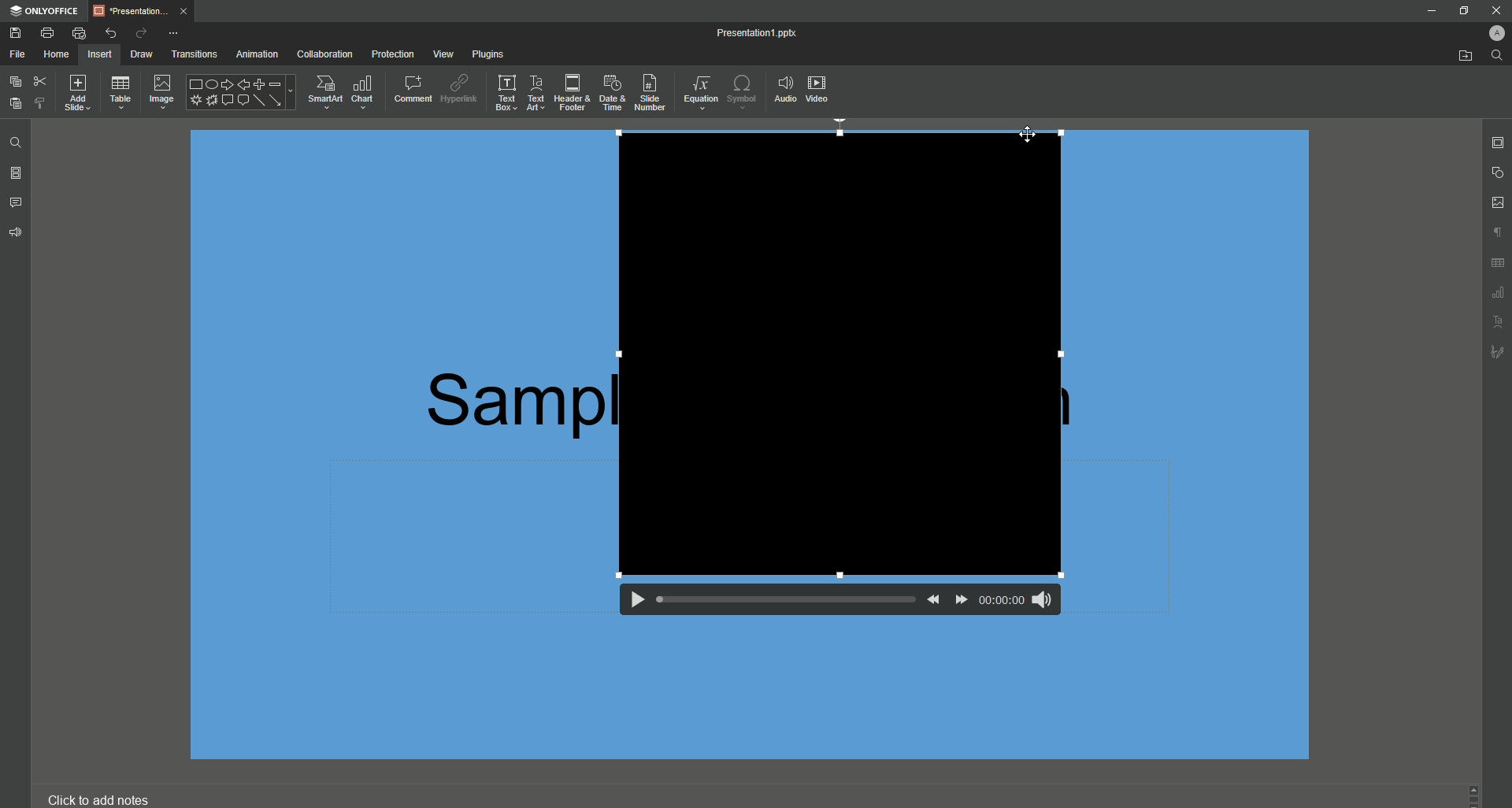 Image resolution: width=1512 pixels, height=808 pixels. I want to click on Feedback, so click(17, 235).